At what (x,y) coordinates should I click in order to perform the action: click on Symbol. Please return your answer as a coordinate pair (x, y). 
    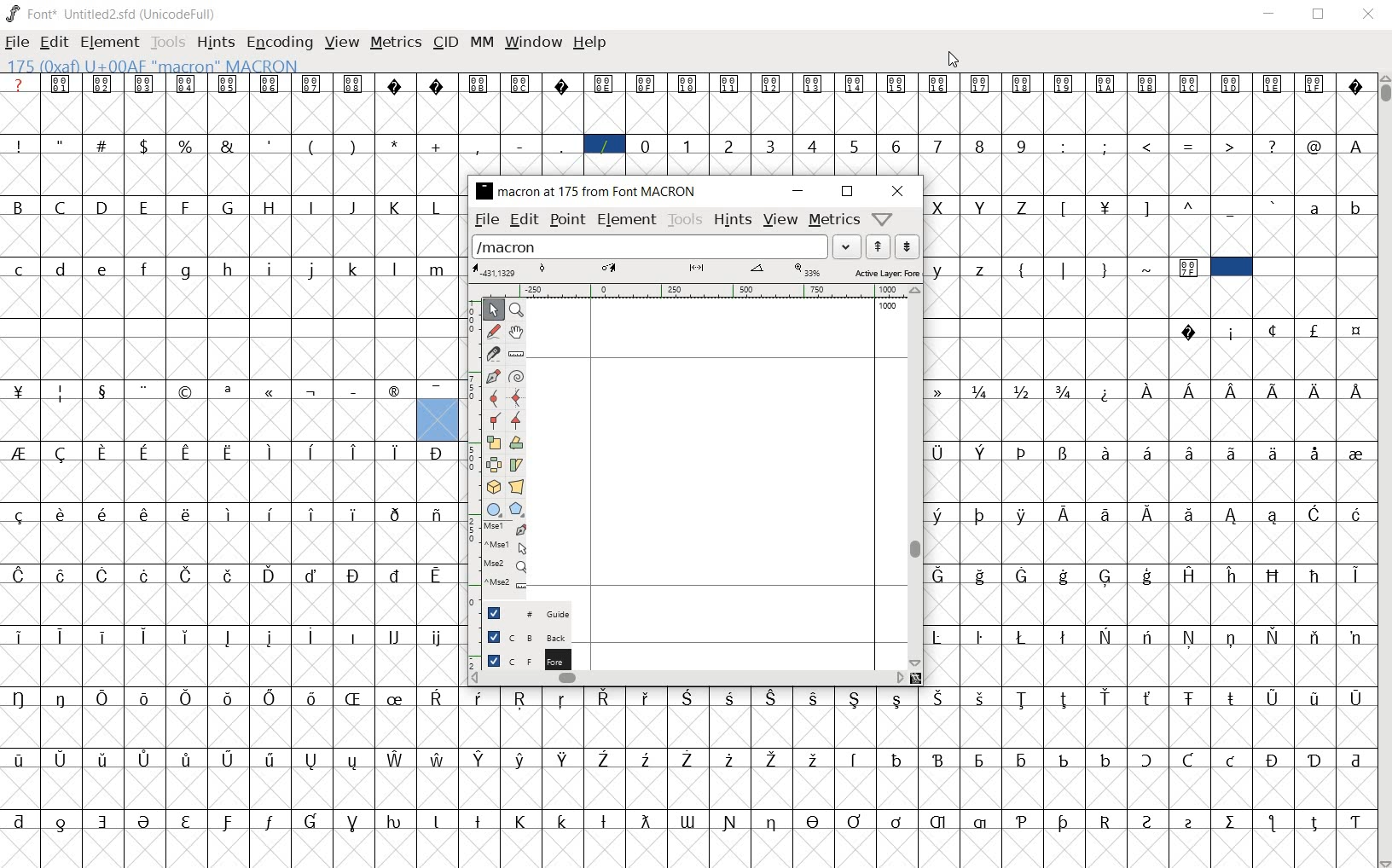
    Looking at the image, I should click on (1066, 822).